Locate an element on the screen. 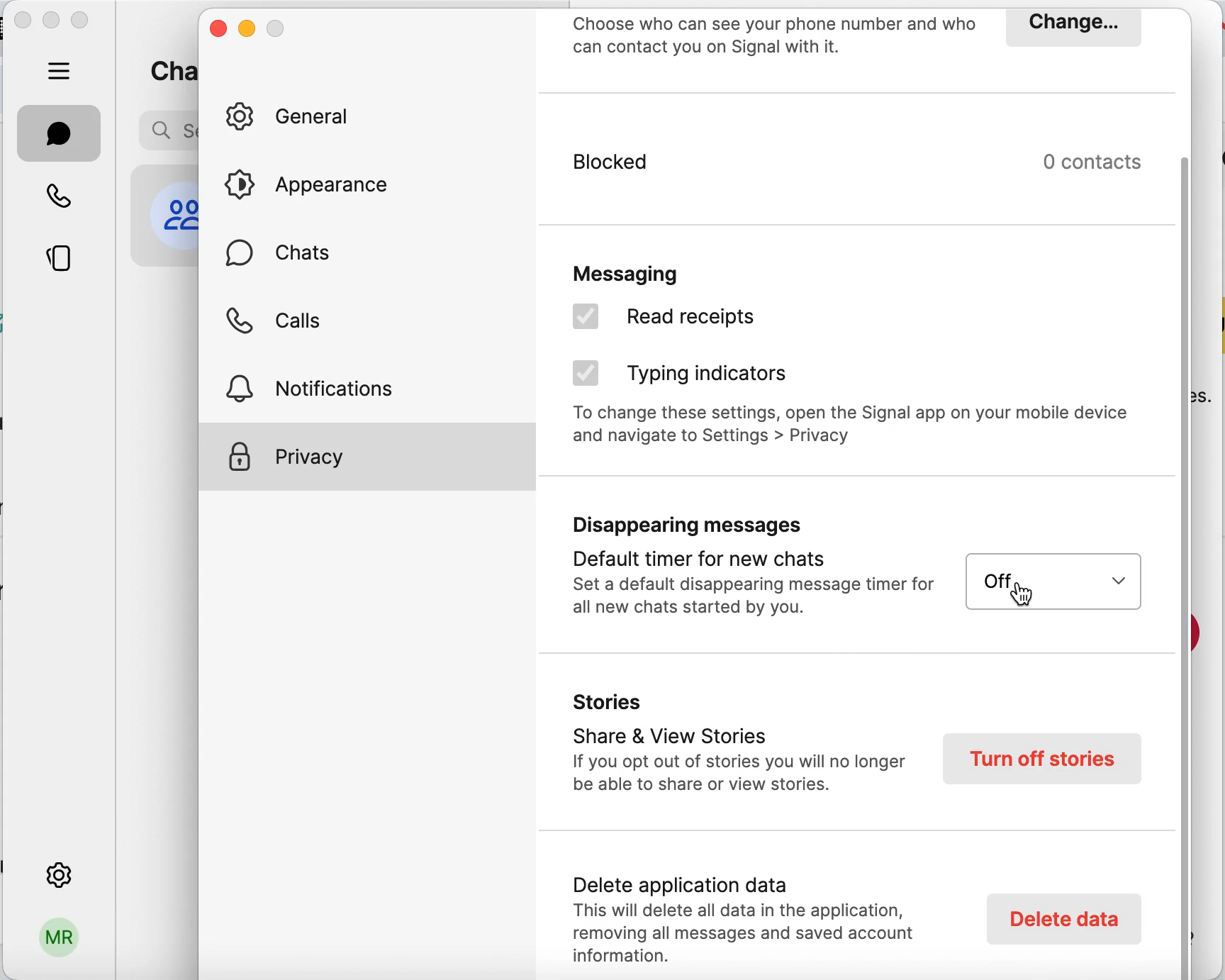 This screenshot has height=980, width=1225. close is located at coordinates (23, 23).